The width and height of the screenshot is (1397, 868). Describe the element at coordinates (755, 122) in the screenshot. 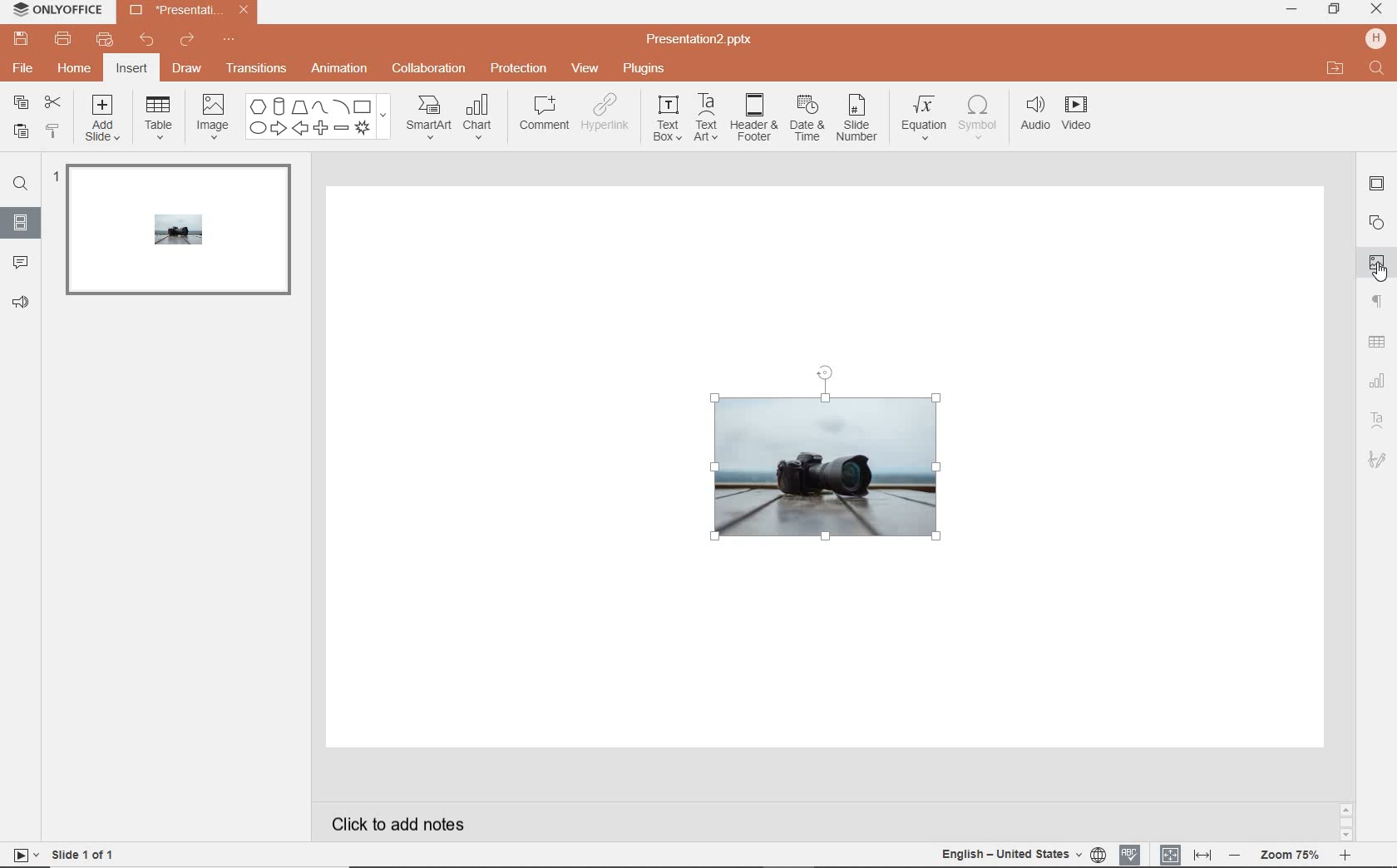

I see `header & footer` at that location.